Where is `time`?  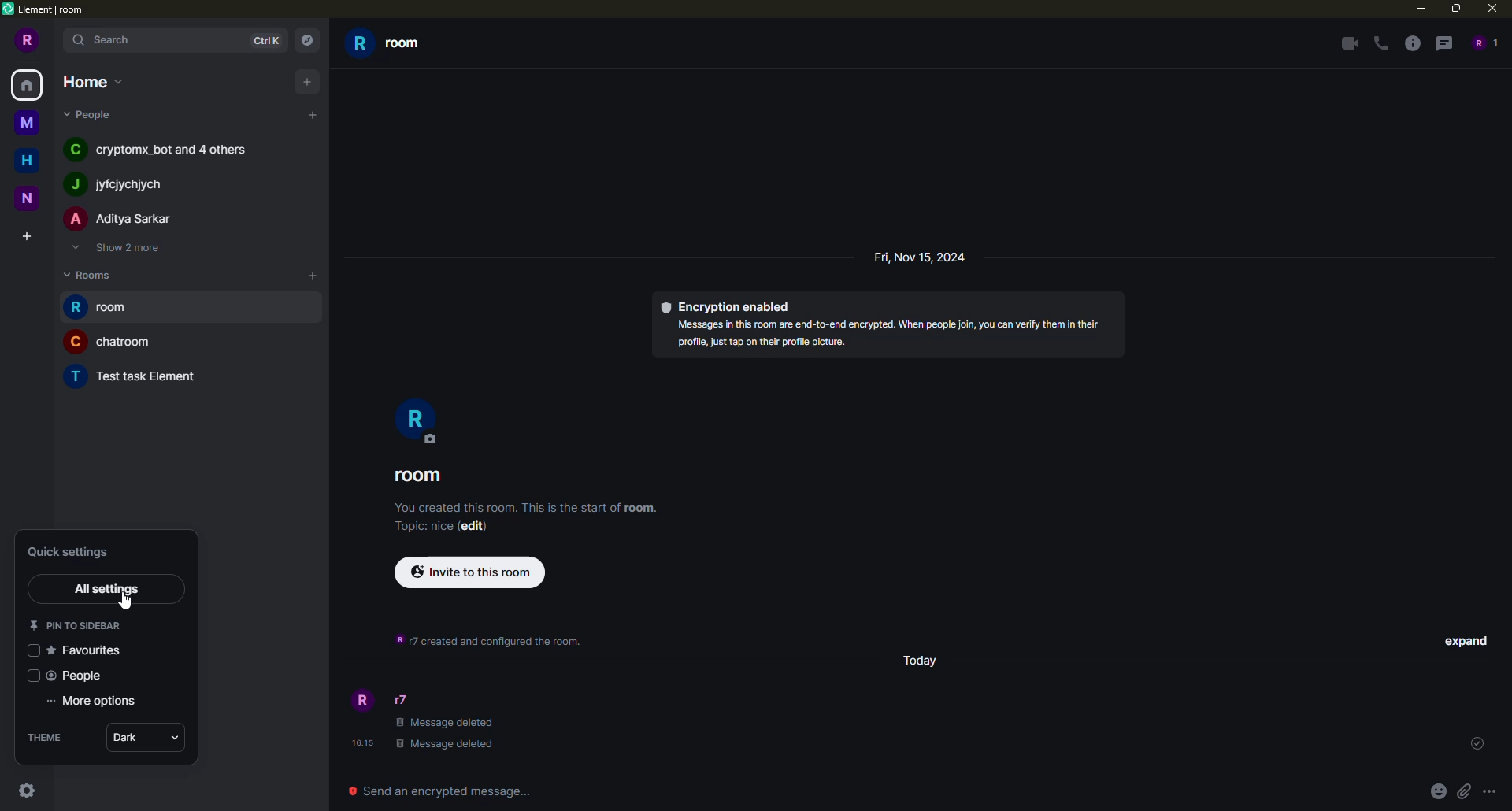 time is located at coordinates (362, 743).